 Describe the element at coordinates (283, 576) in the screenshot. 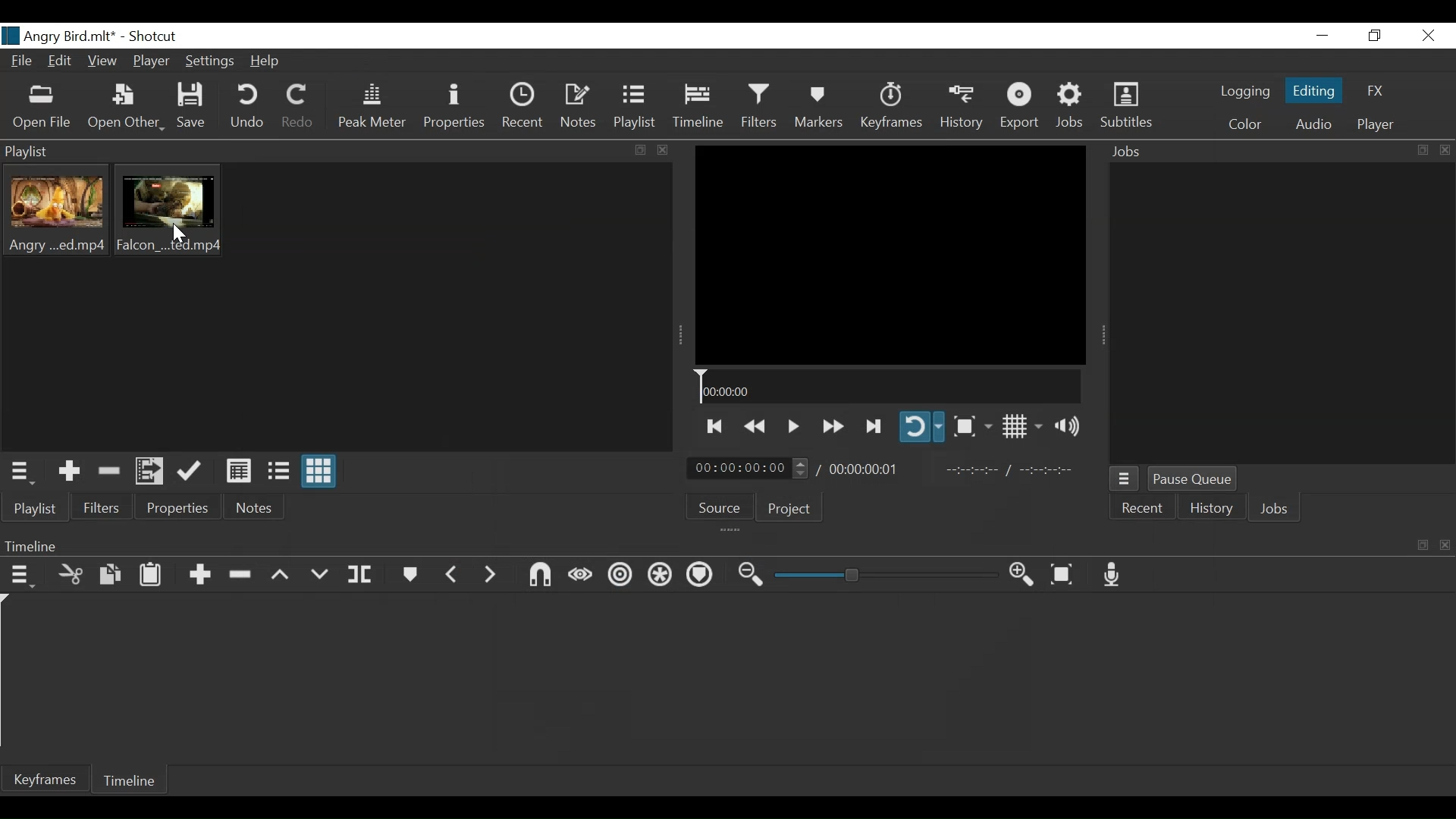

I see `Lift` at that location.